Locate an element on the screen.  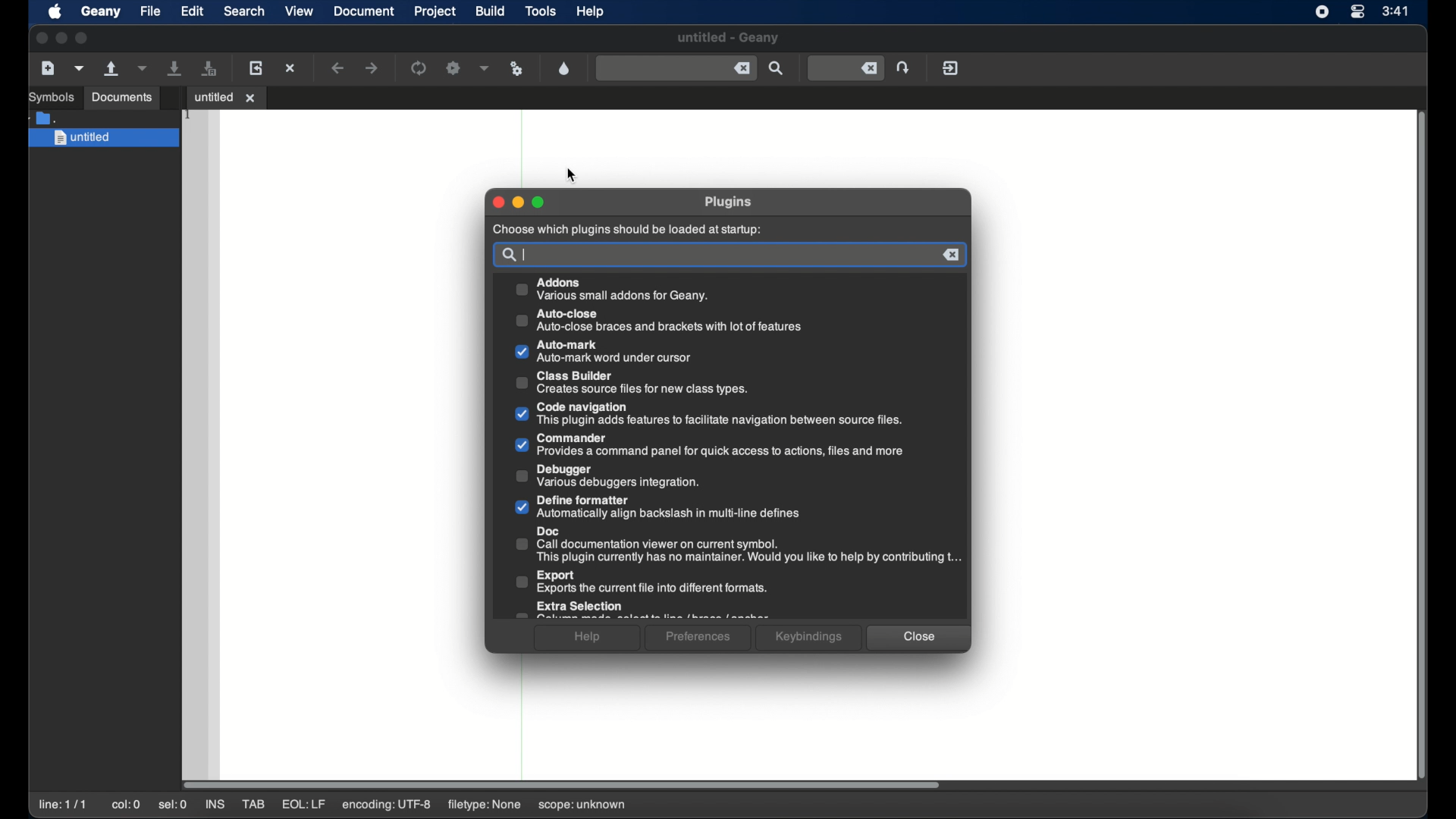
untitled - geany is located at coordinates (728, 38).